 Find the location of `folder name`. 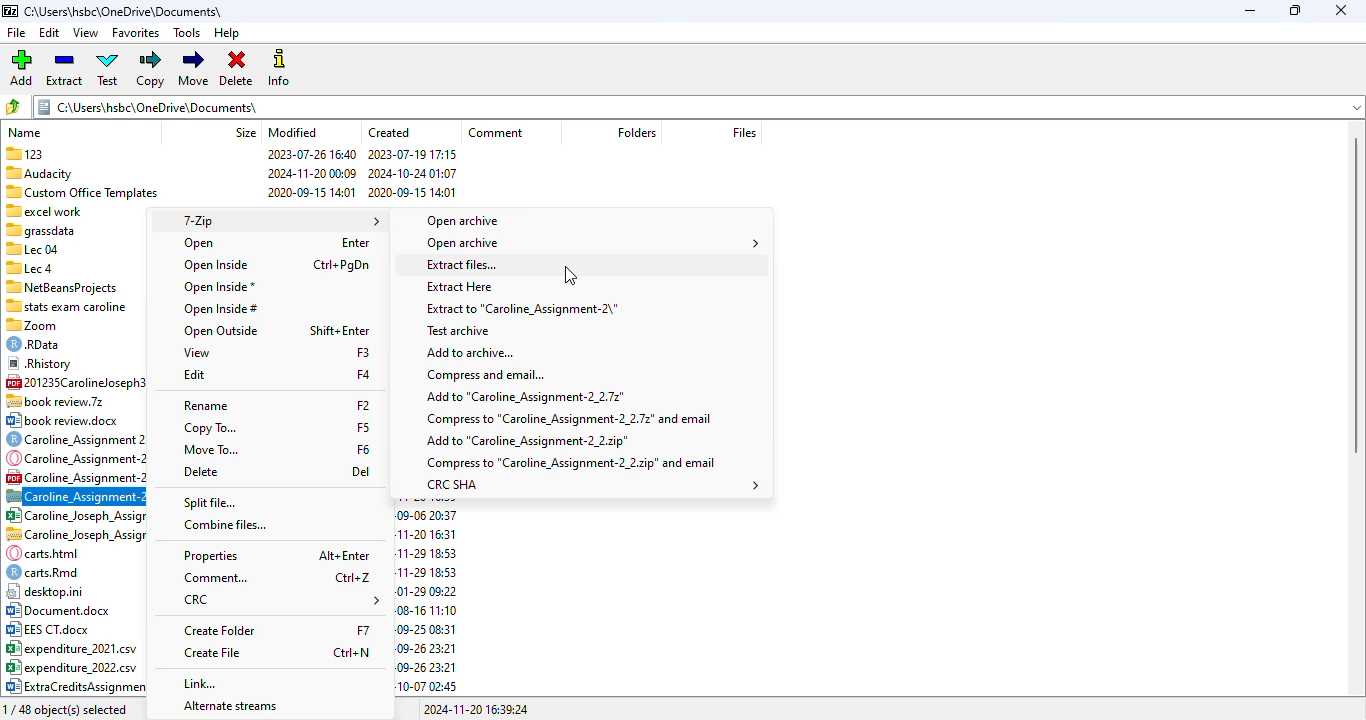

folder name is located at coordinates (123, 11).